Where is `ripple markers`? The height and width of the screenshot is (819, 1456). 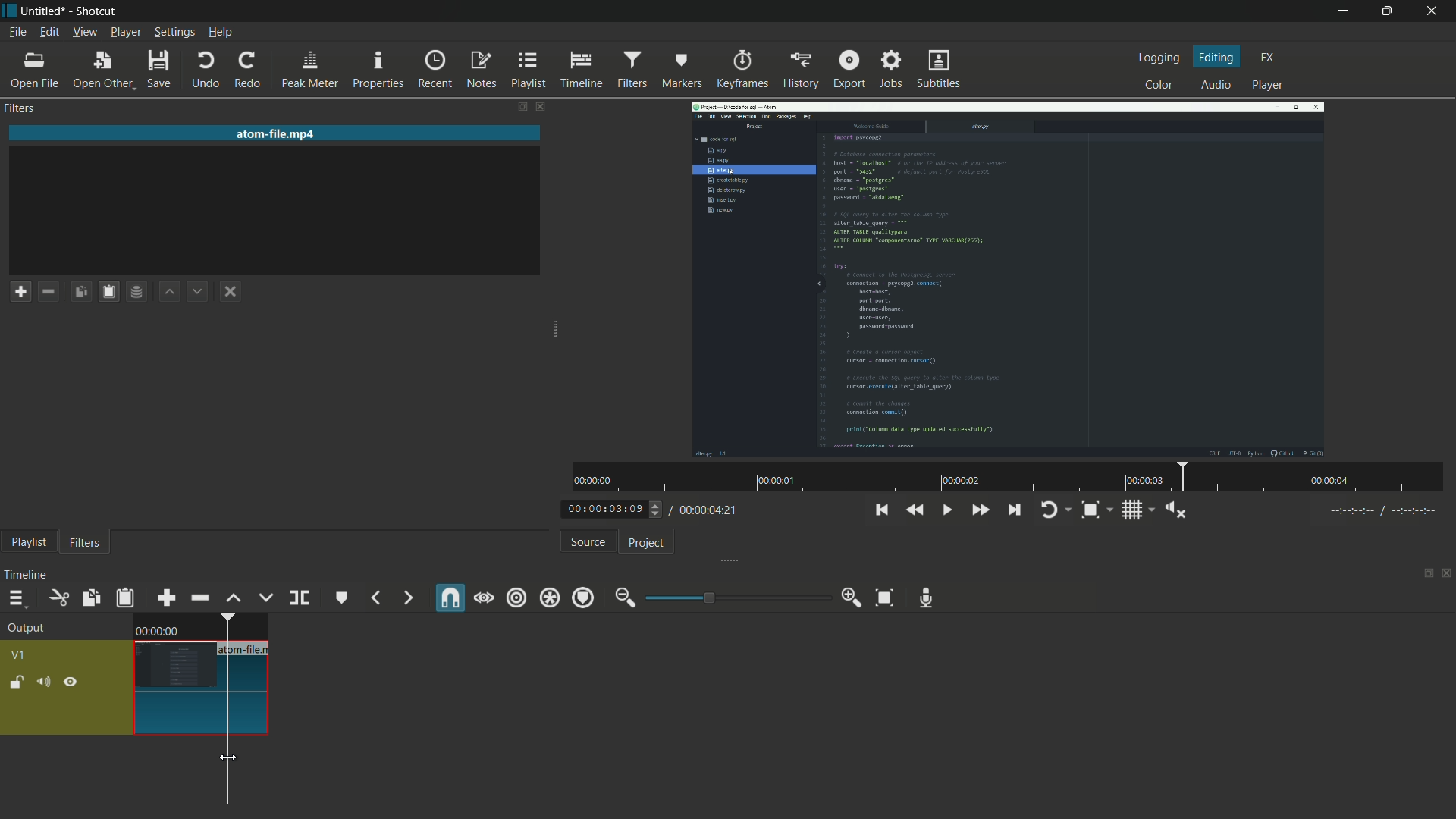
ripple markers is located at coordinates (584, 598).